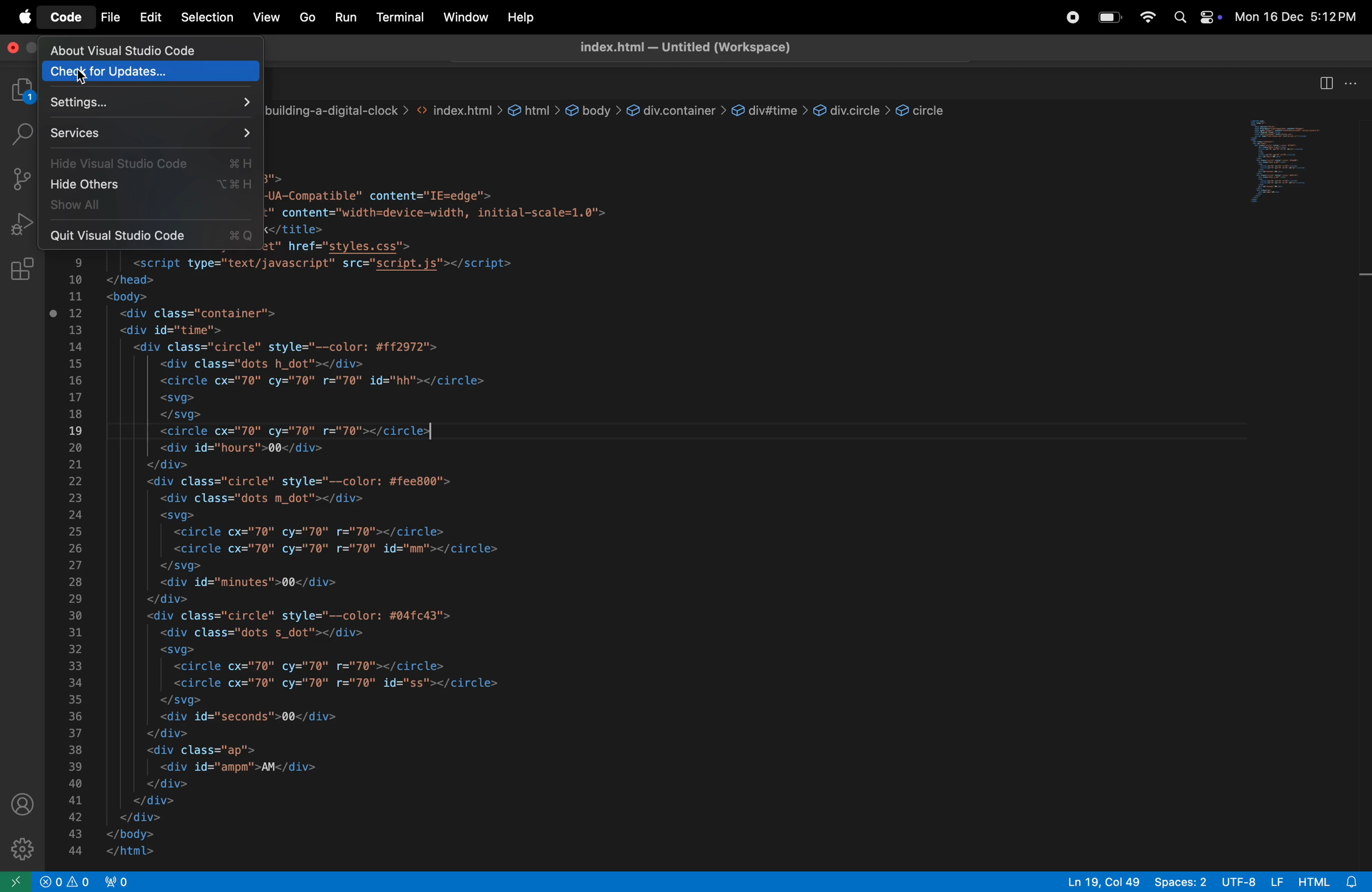  What do you see at coordinates (168, 735) in the screenshot?
I see `</div>` at bounding box center [168, 735].